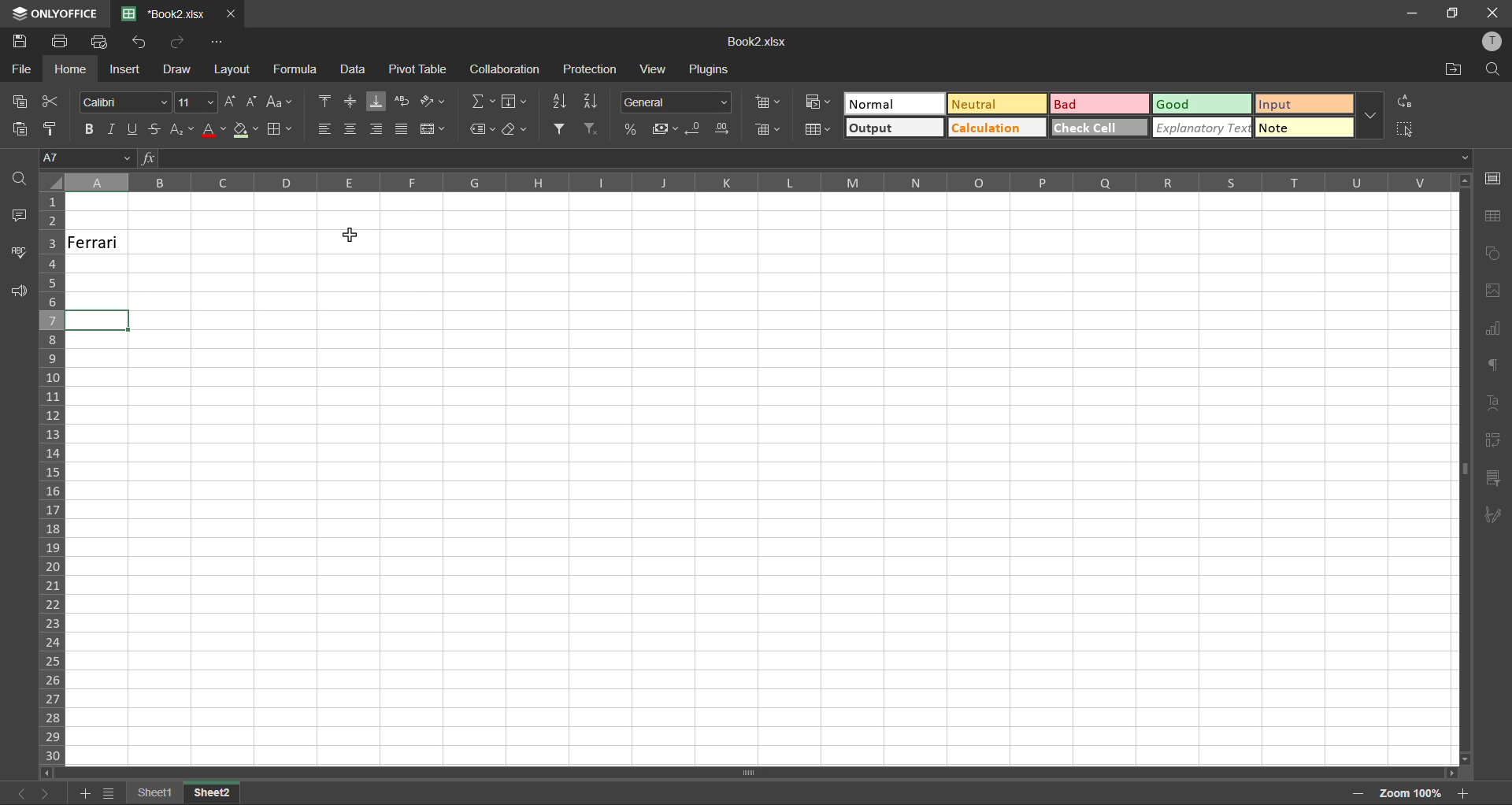 This screenshot has height=805, width=1512. I want to click on minimize, so click(1414, 13).